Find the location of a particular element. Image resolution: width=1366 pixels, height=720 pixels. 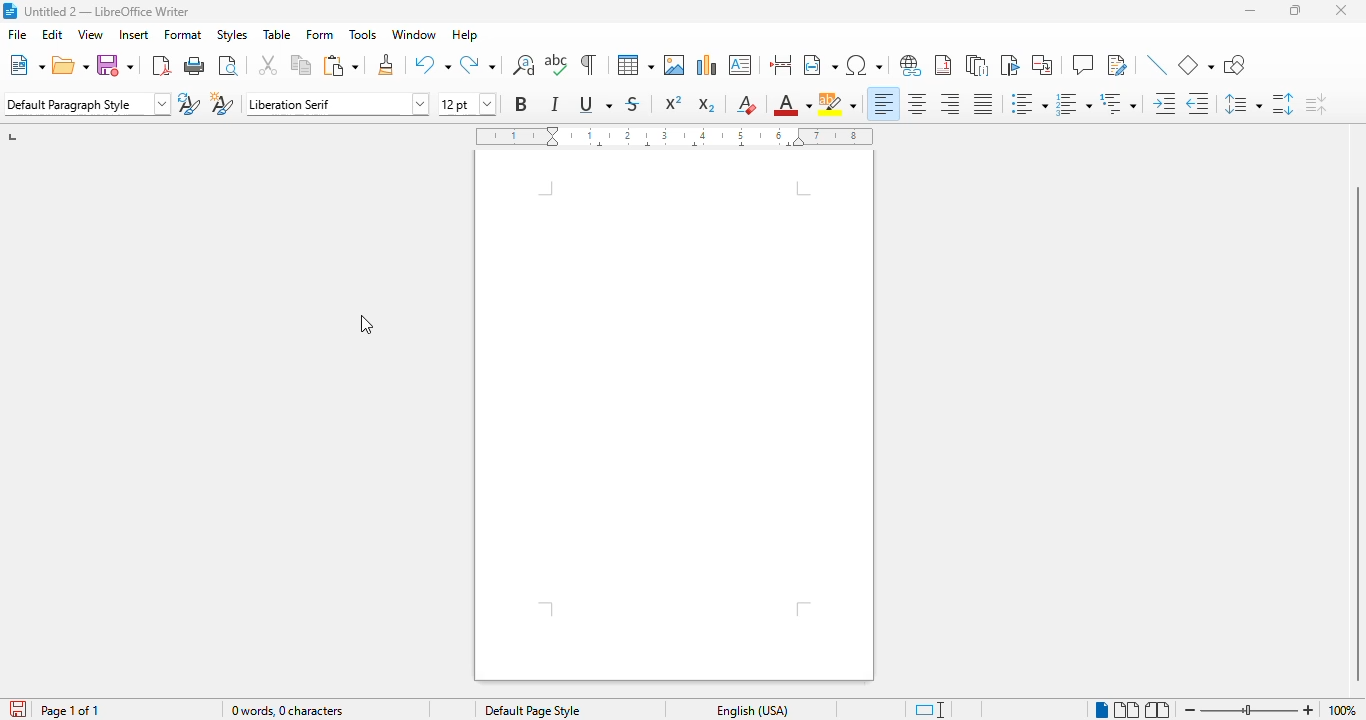

new is located at coordinates (26, 65).